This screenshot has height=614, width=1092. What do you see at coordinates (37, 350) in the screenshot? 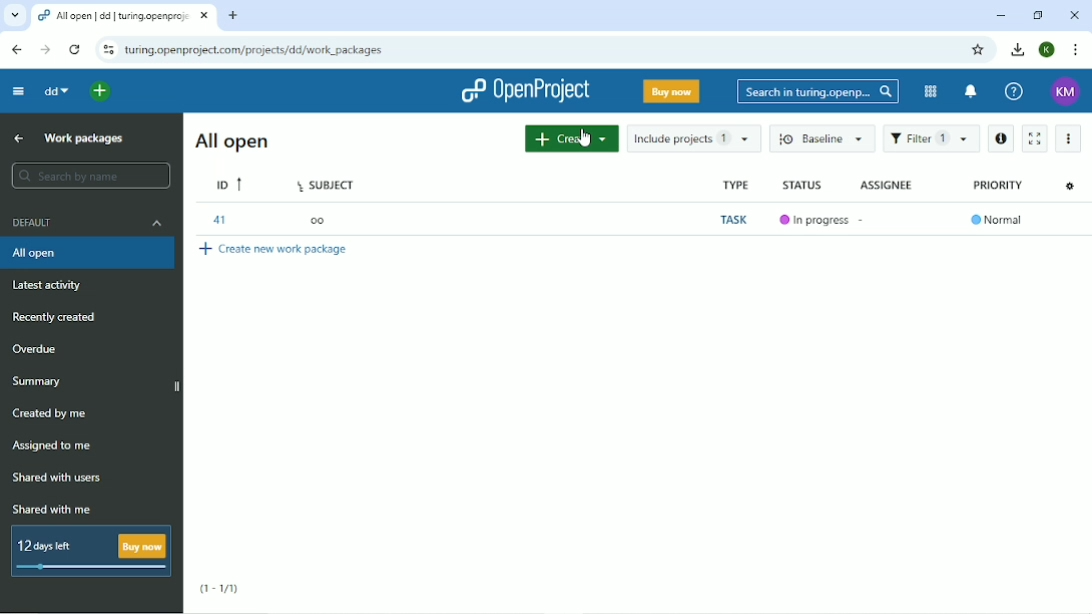
I see `Overdue` at bounding box center [37, 350].